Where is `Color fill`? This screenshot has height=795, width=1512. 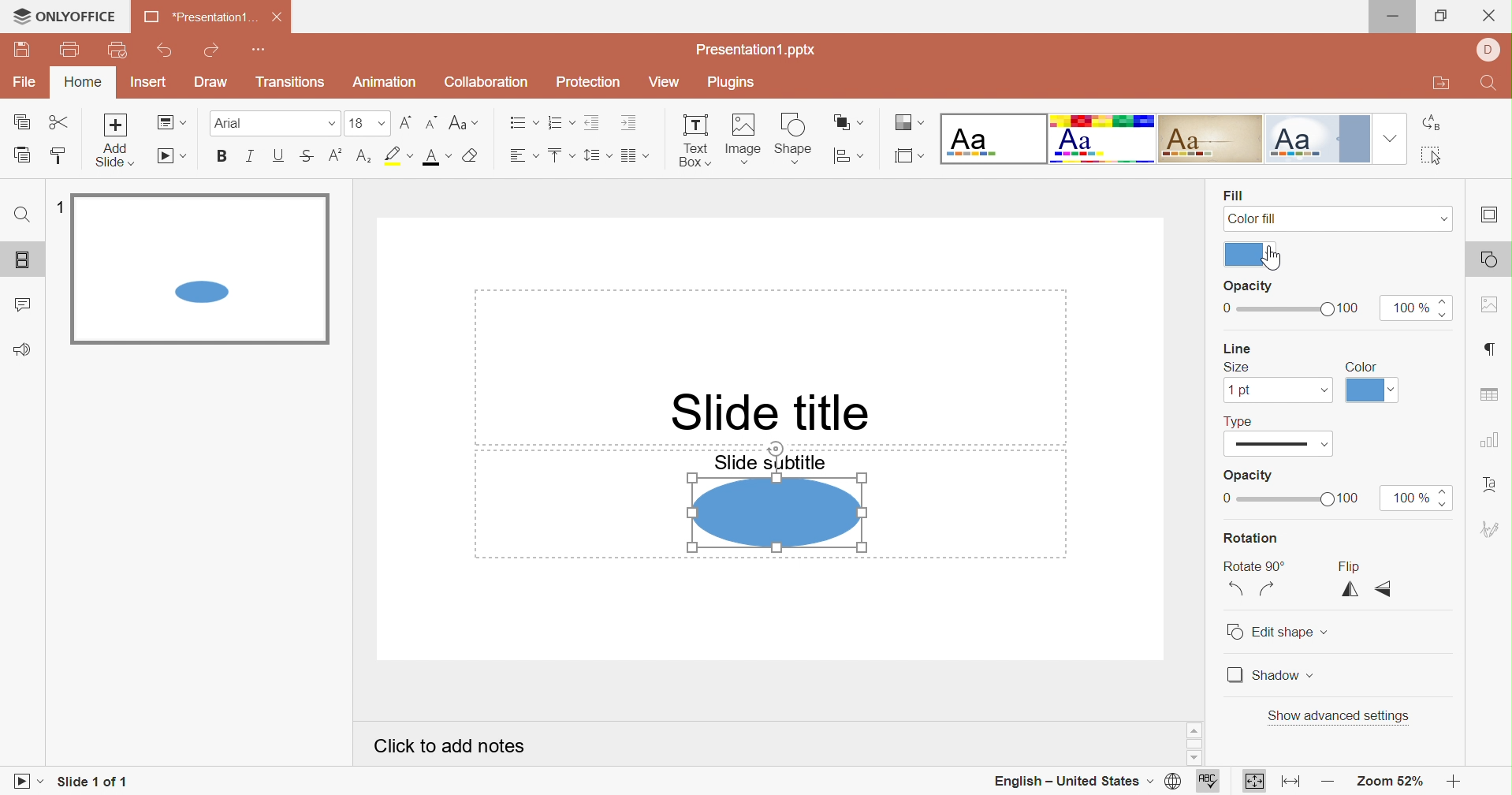 Color fill is located at coordinates (1337, 219).